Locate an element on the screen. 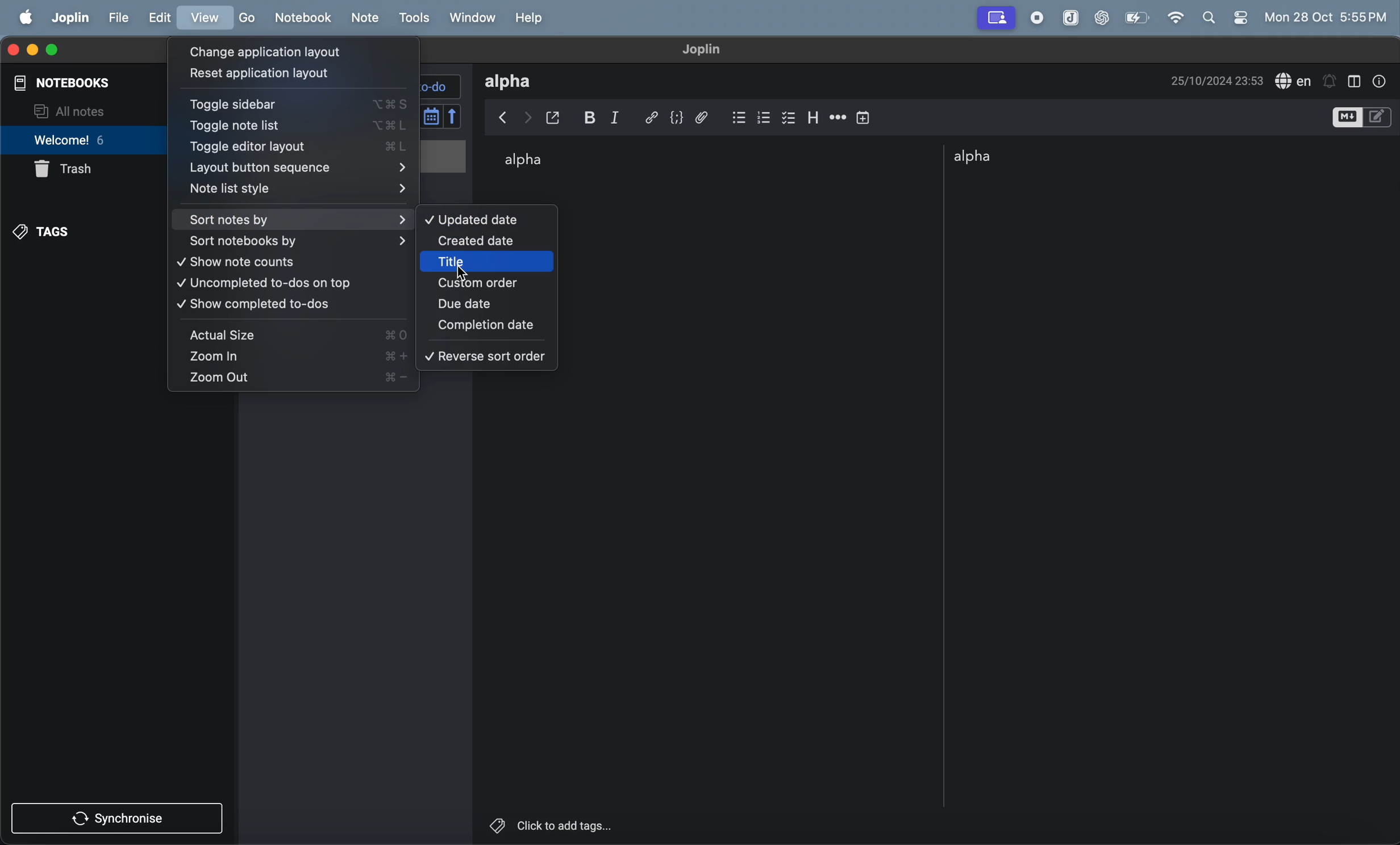  toggle editor is located at coordinates (1362, 118).